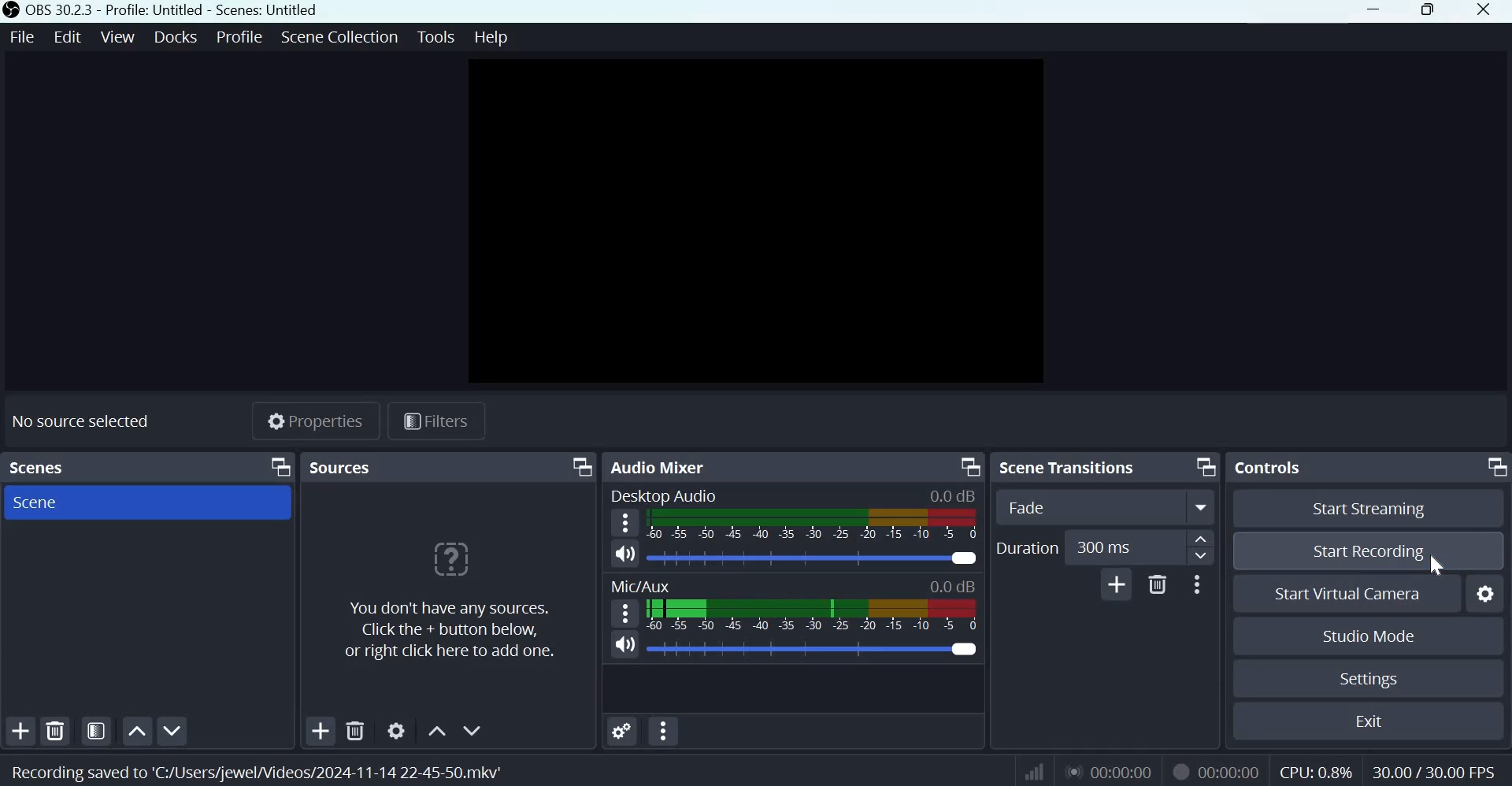  Describe the element at coordinates (1433, 771) in the screenshot. I see `30.00/30.00 FPS` at that location.